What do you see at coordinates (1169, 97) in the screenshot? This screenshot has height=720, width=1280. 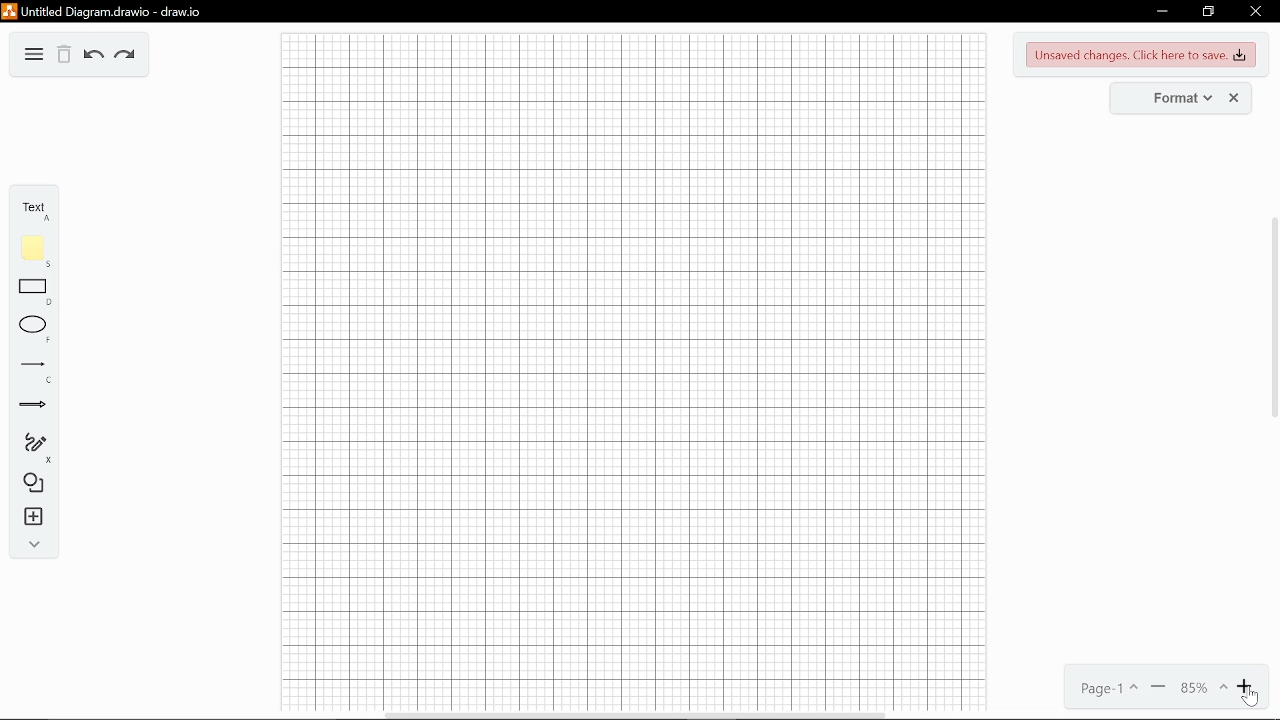 I see `Format` at bounding box center [1169, 97].